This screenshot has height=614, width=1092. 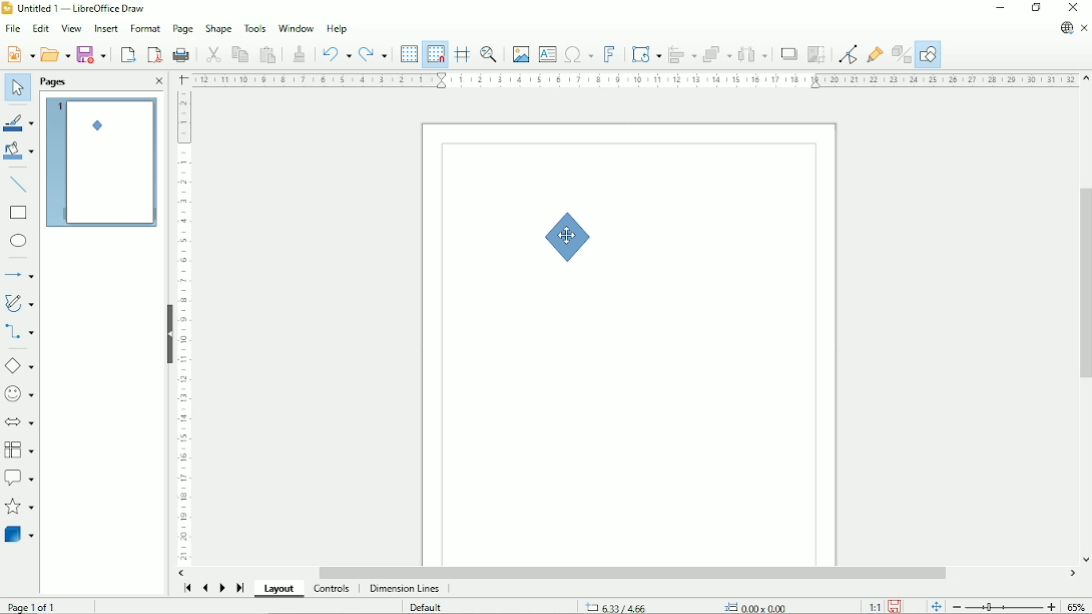 I want to click on Display grid, so click(x=409, y=54).